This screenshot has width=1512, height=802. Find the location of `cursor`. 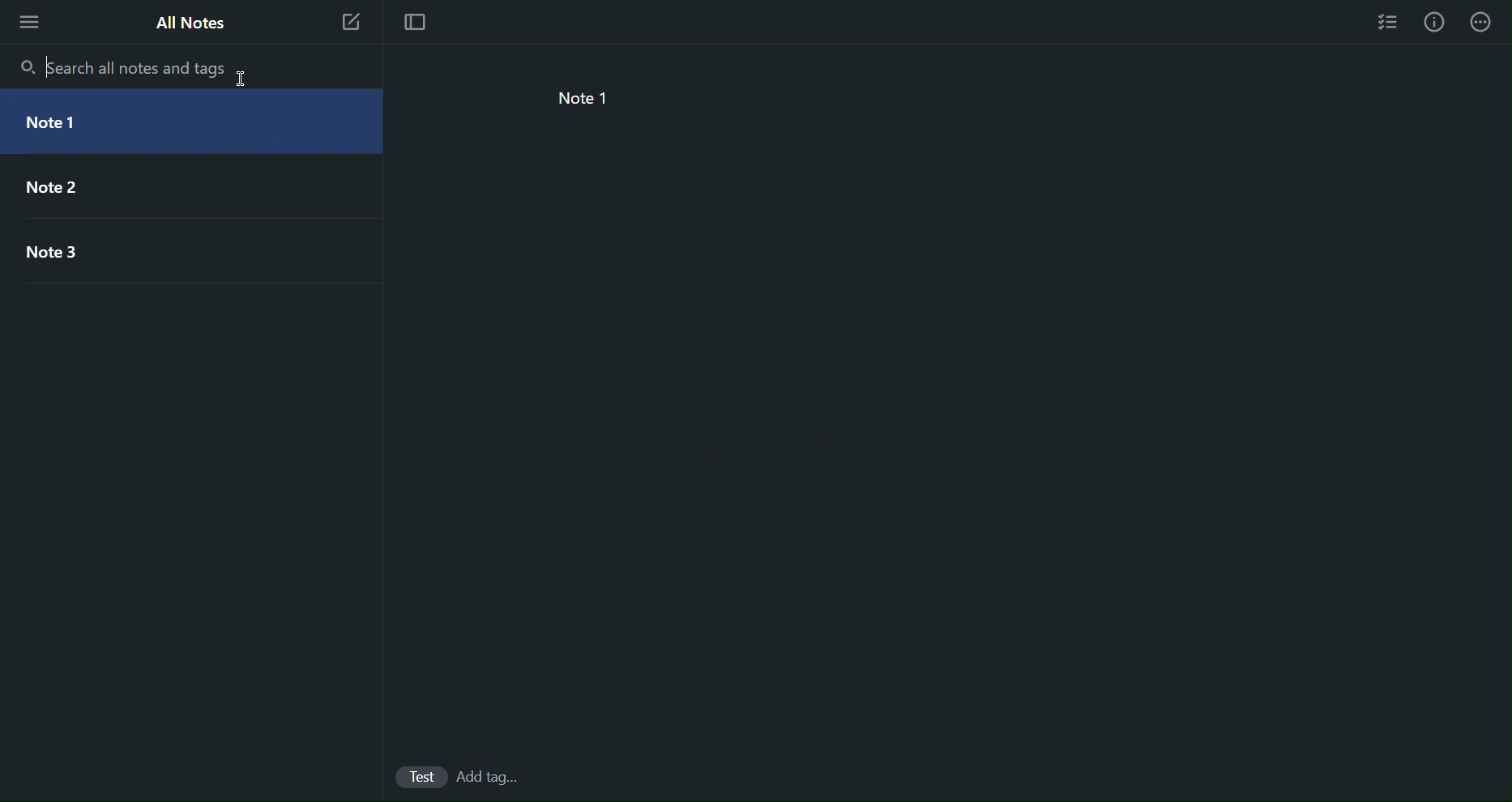

cursor is located at coordinates (245, 83).